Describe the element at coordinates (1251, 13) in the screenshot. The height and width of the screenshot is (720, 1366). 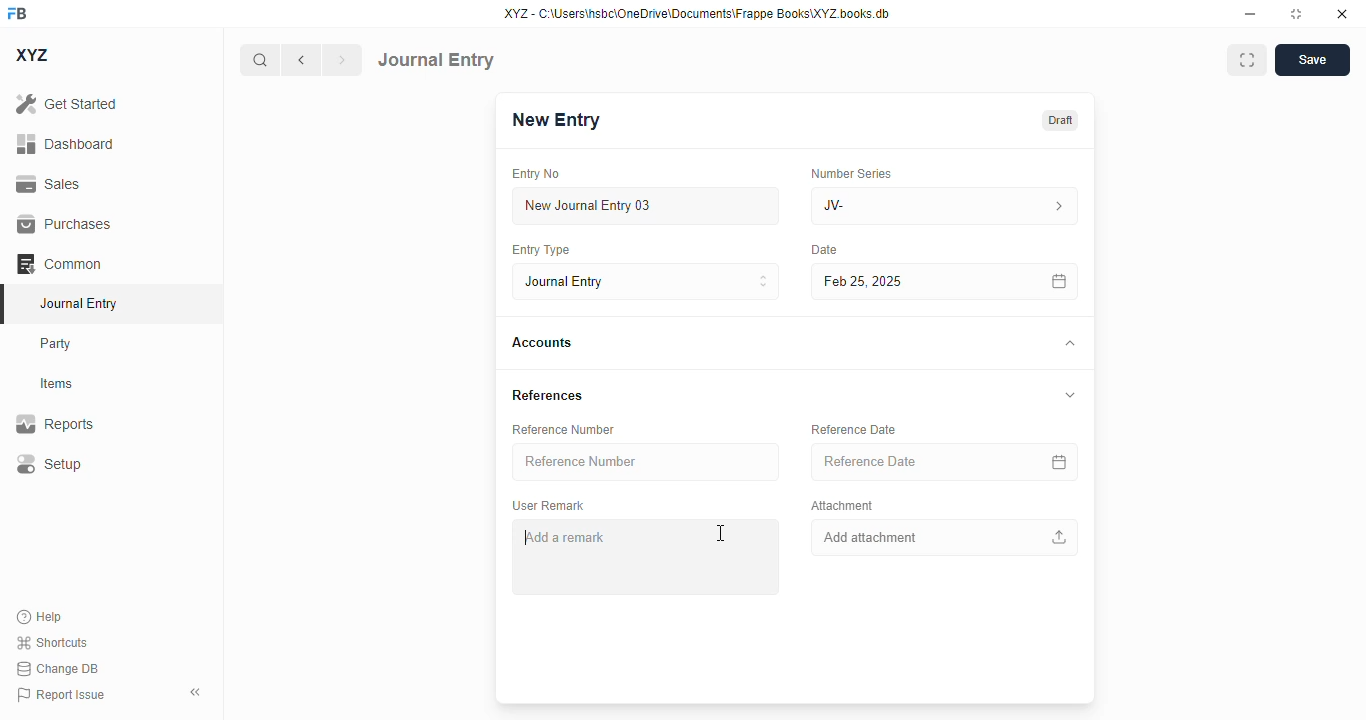
I see `minimize` at that location.